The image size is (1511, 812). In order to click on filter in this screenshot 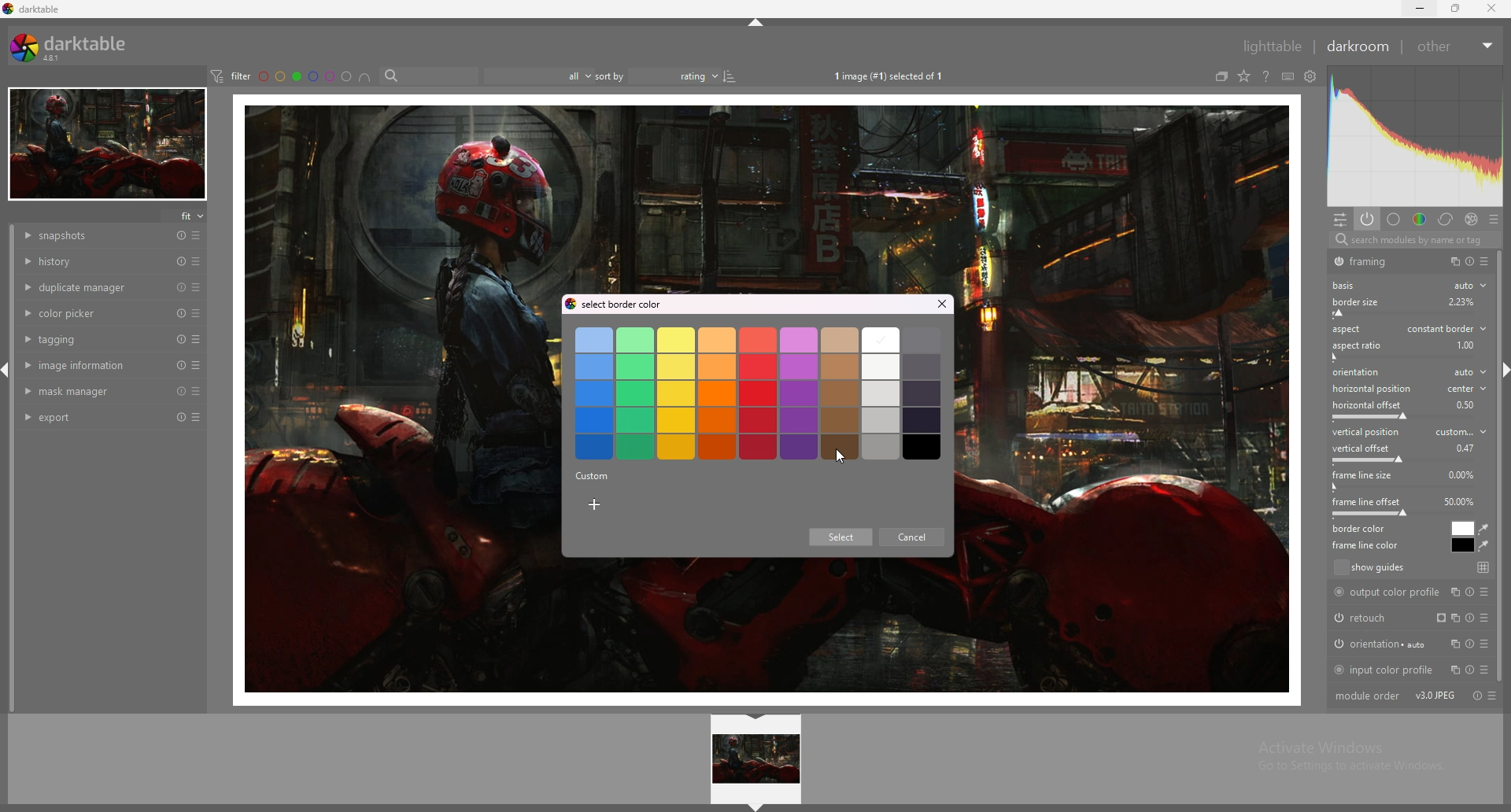, I will do `click(230, 76)`.